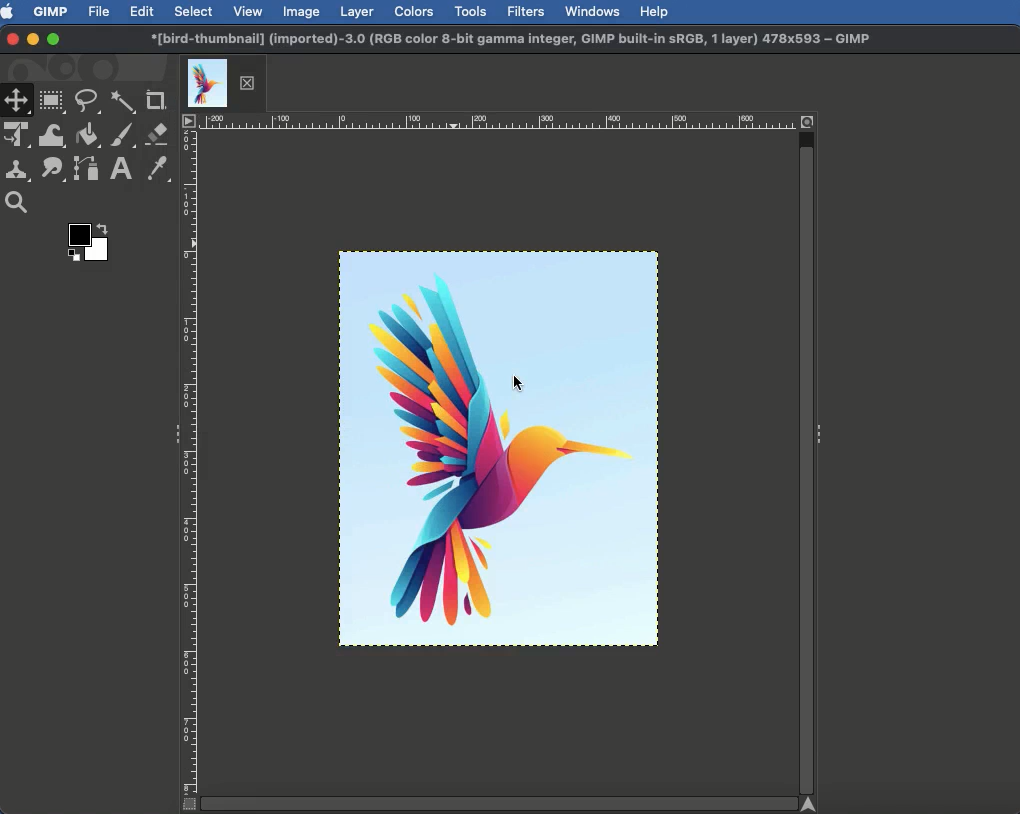 The width and height of the screenshot is (1020, 814). I want to click on Window, so click(595, 10).